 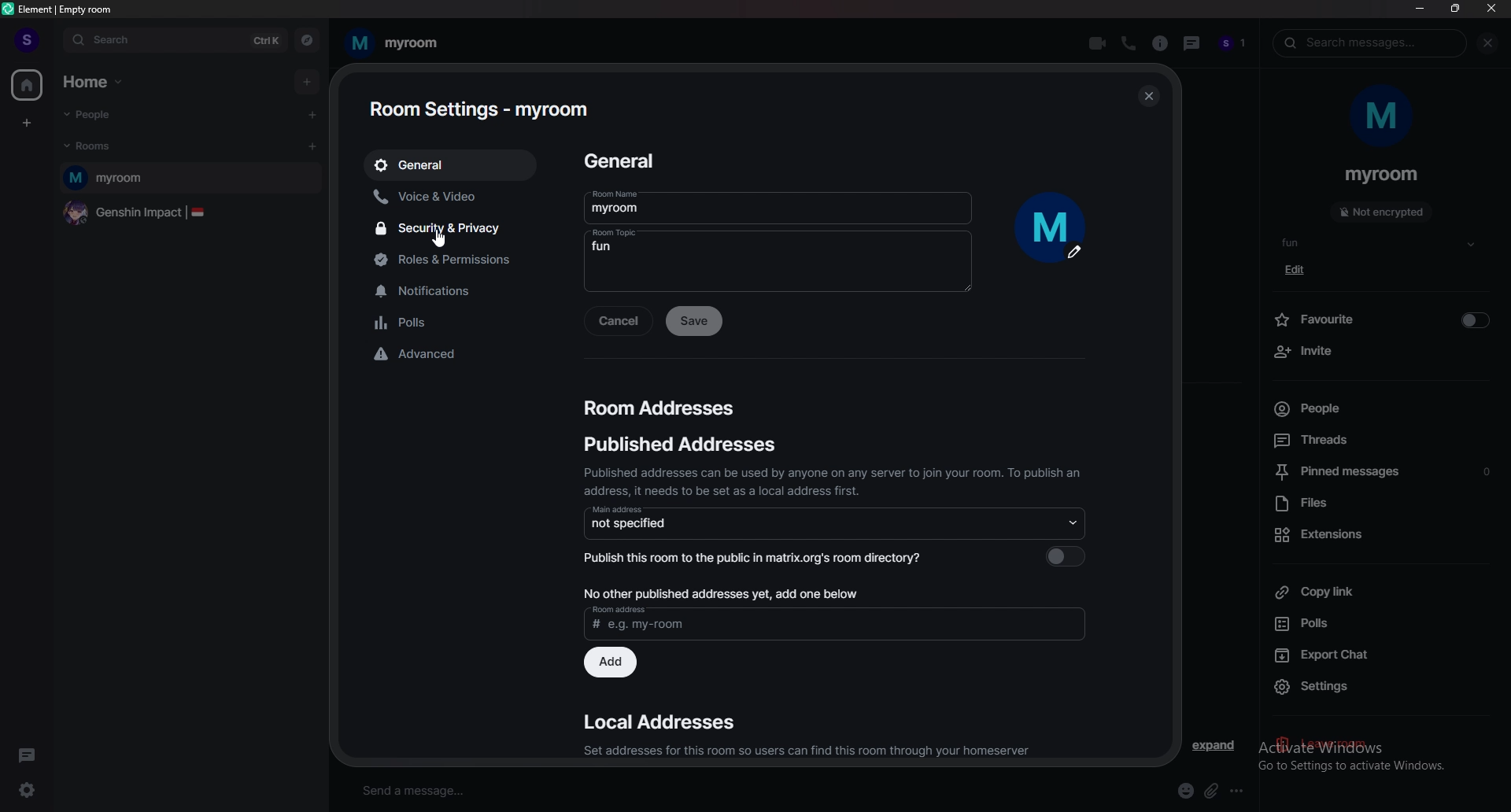 I want to click on more options, so click(x=1242, y=790).